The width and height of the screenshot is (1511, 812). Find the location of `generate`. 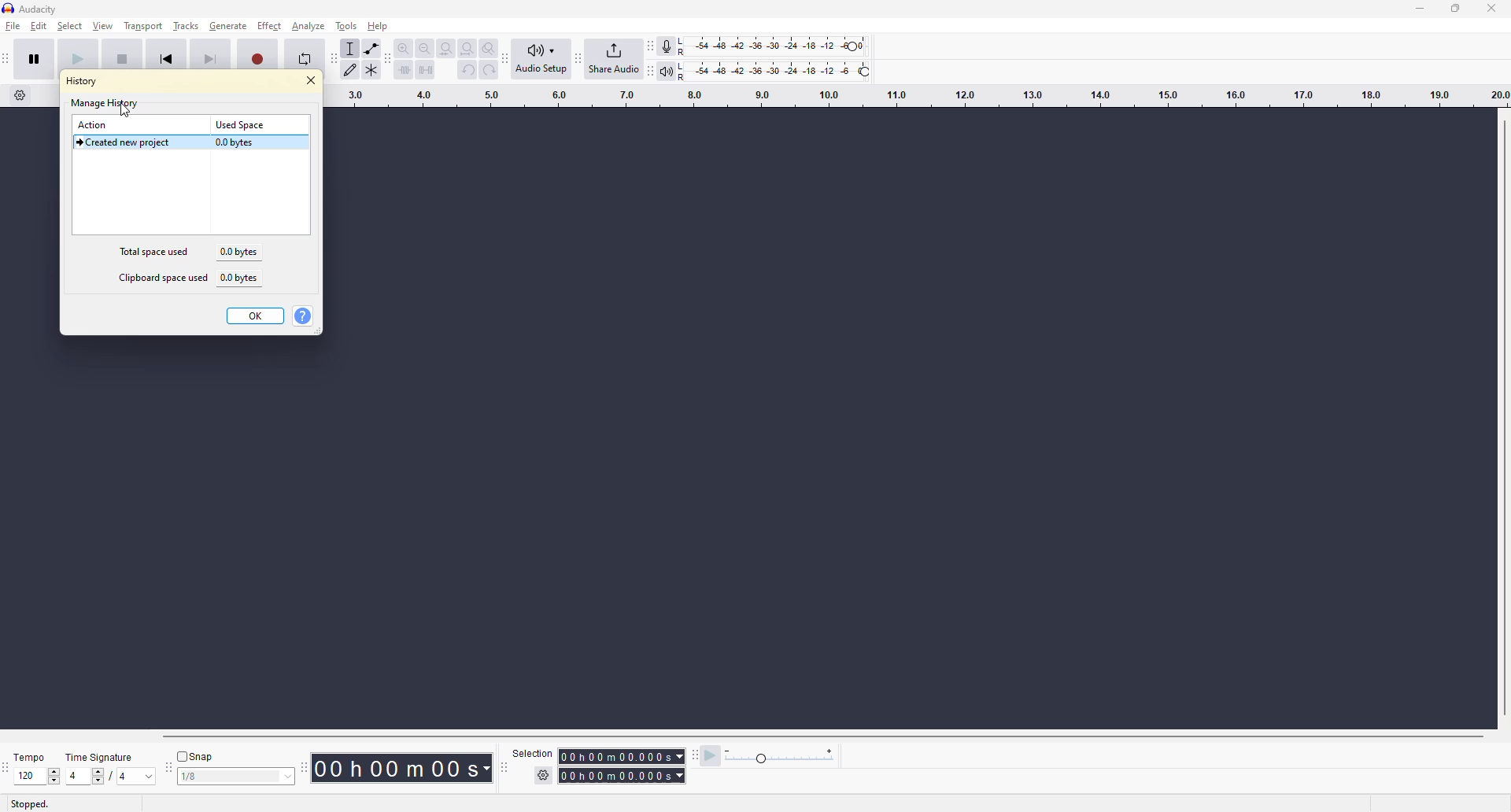

generate is located at coordinates (227, 24).